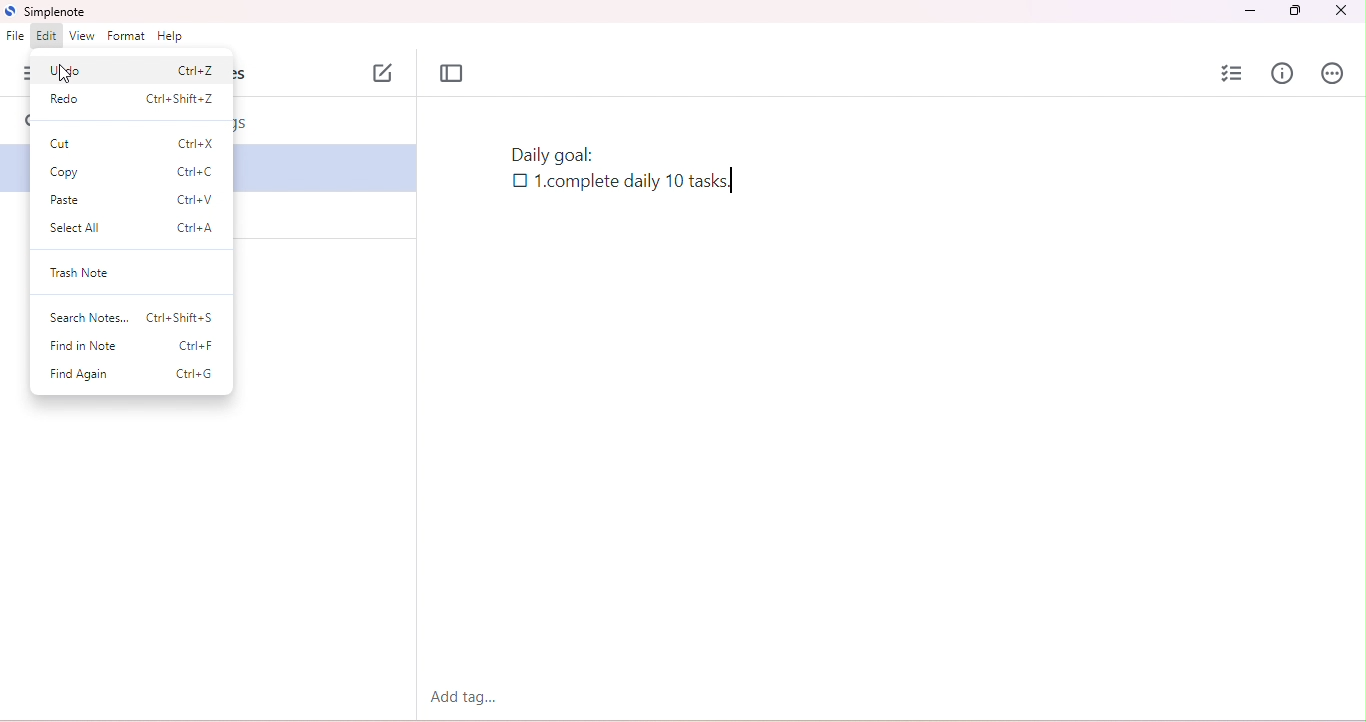 Image resolution: width=1366 pixels, height=722 pixels. What do you see at coordinates (619, 162) in the screenshot?
I see `note with checklist` at bounding box center [619, 162].